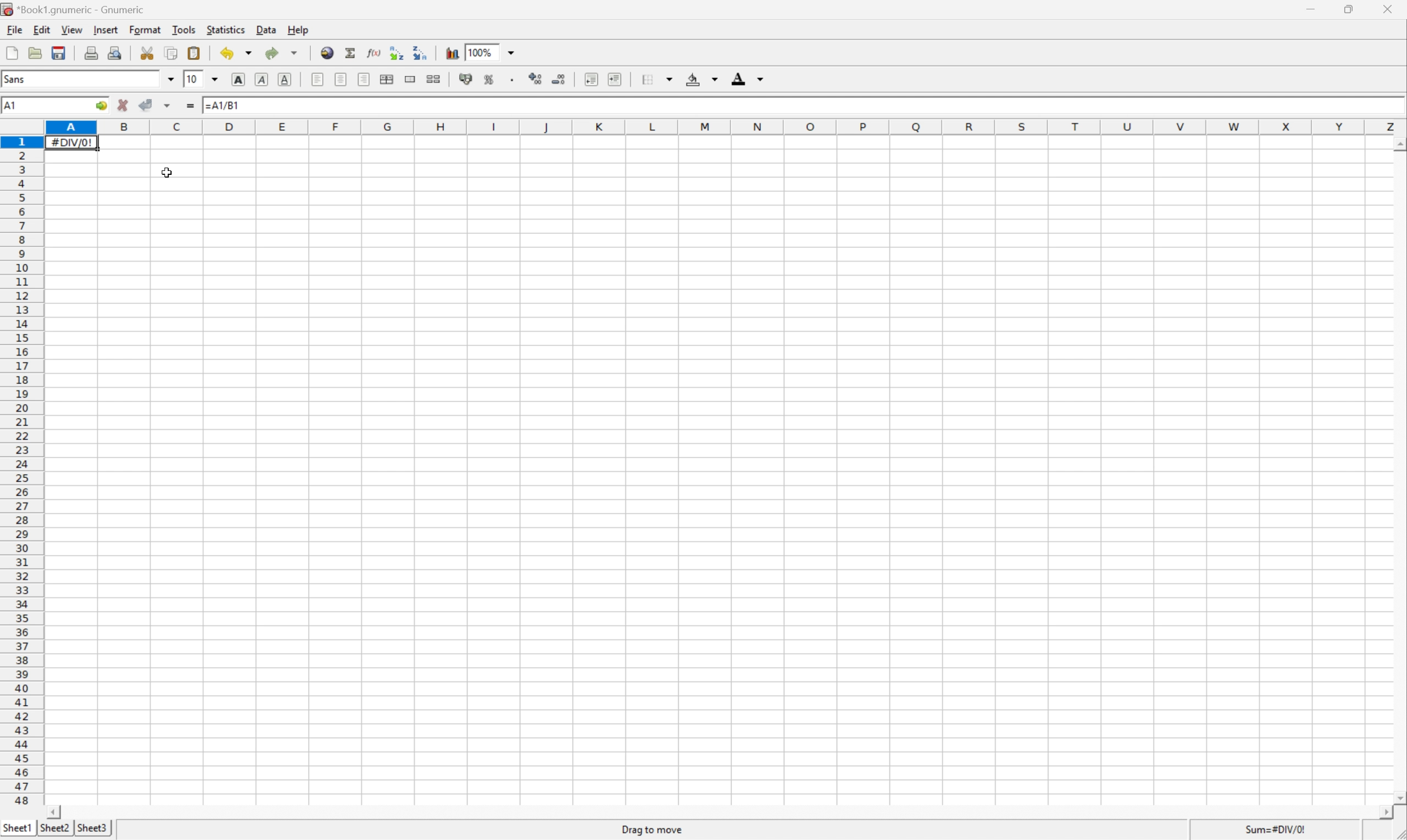  What do you see at coordinates (108, 29) in the screenshot?
I see `Insert` at bounding box center [108, 29].